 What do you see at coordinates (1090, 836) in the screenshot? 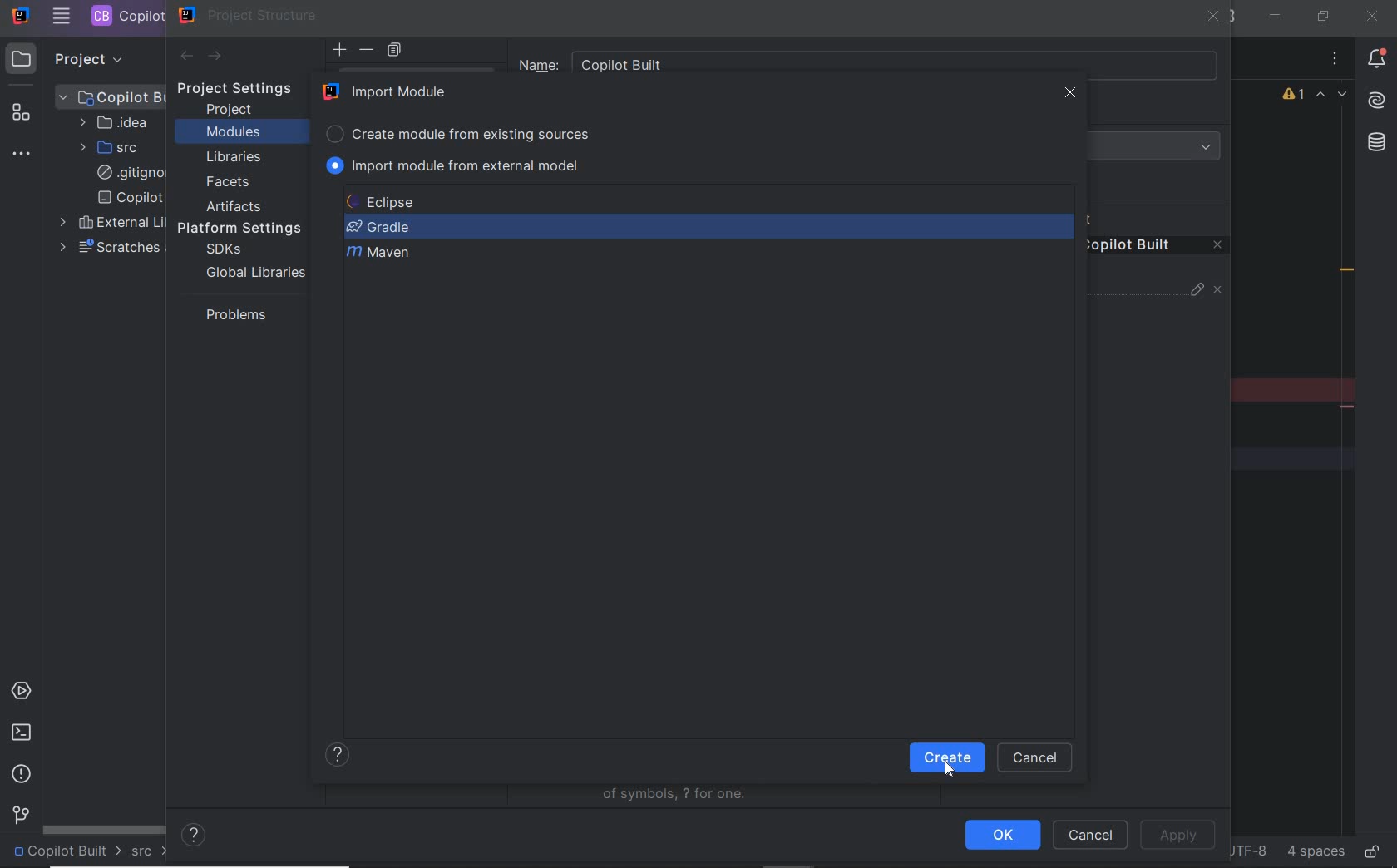
I see `cancel` at bounding box center [1090, 836].